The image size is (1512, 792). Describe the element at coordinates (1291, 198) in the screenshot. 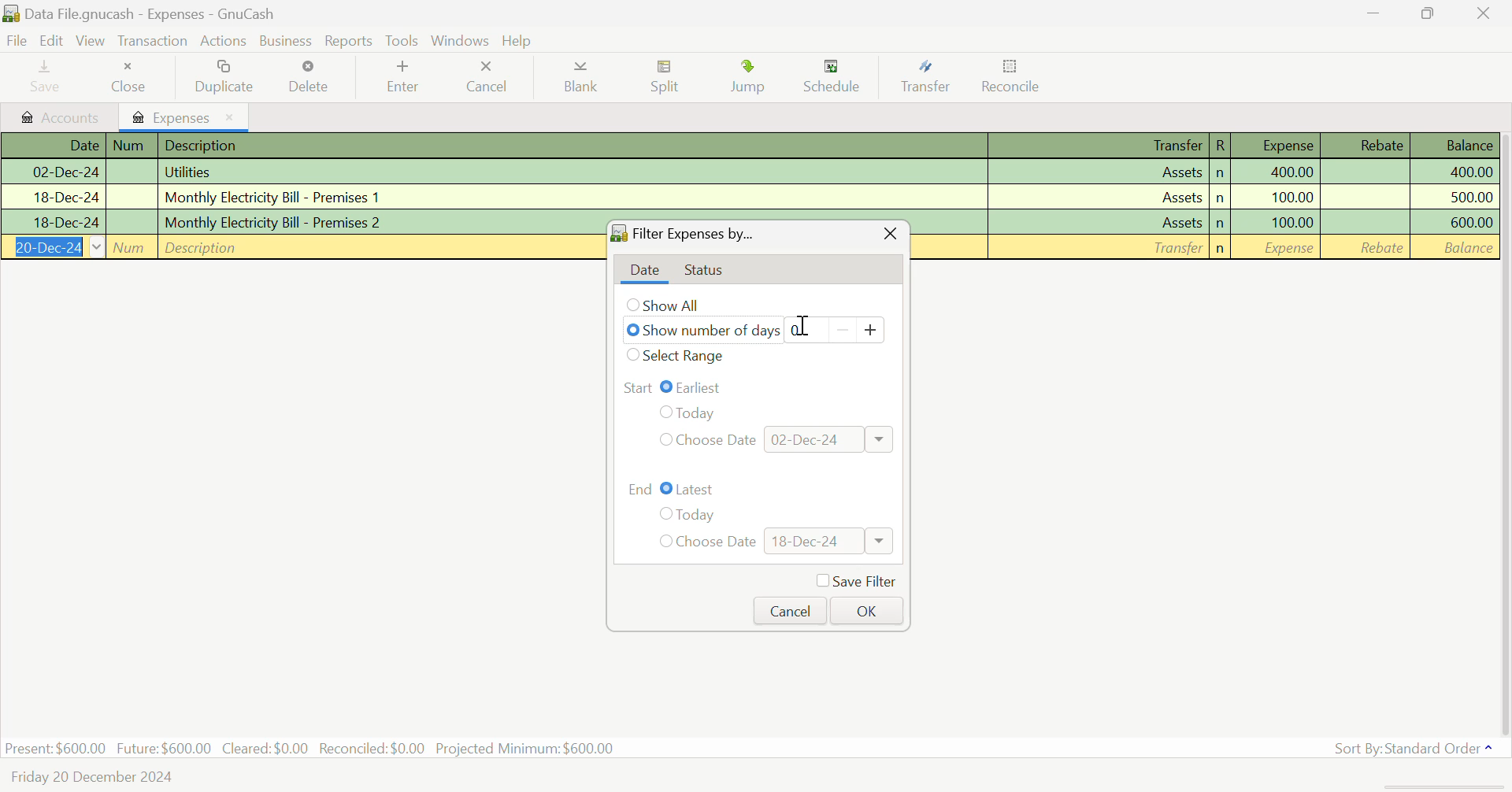

I see `Amount` at that location.